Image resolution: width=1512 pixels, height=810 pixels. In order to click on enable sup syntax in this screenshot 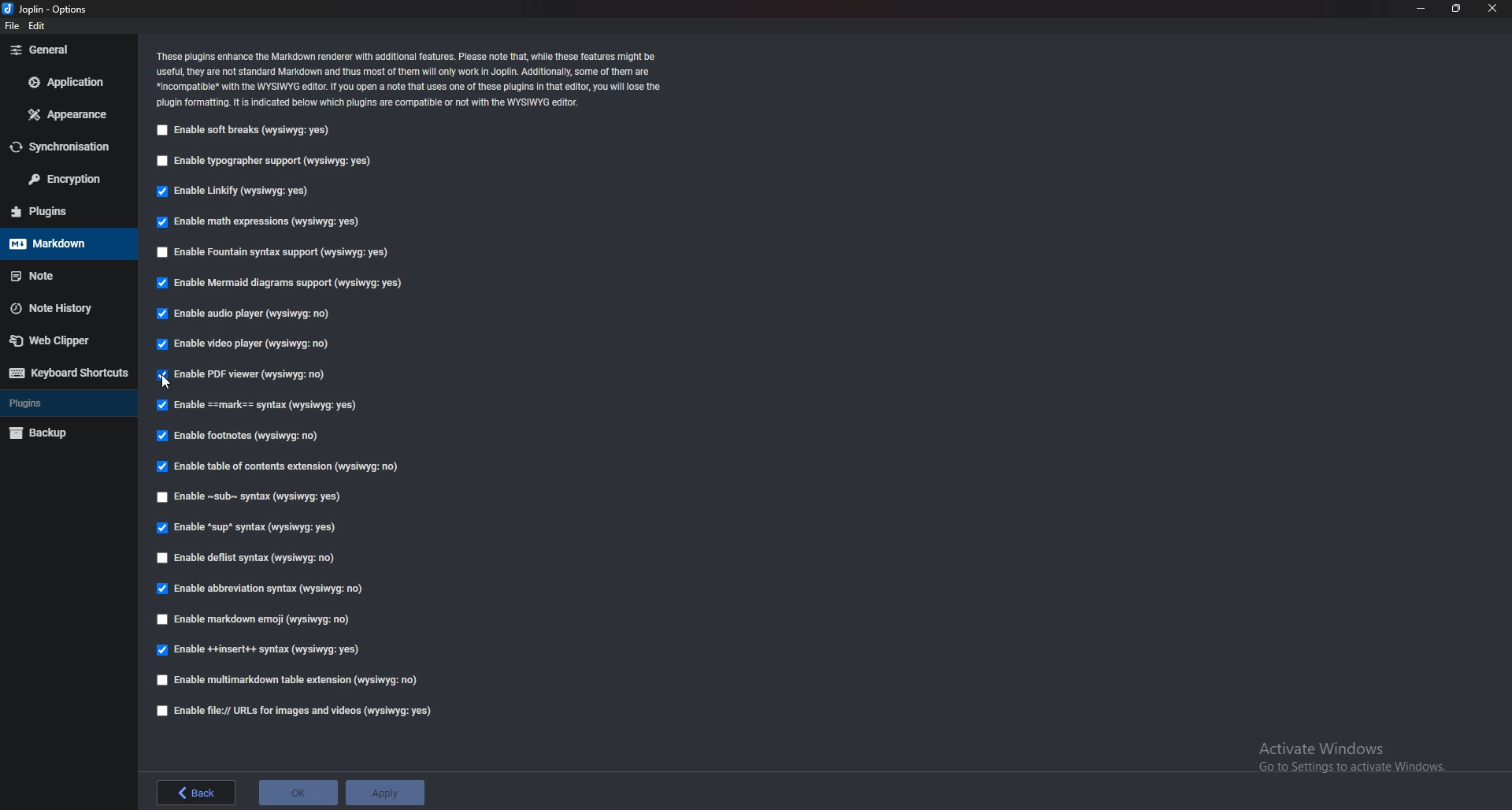, I will do `click(249, 528)`.